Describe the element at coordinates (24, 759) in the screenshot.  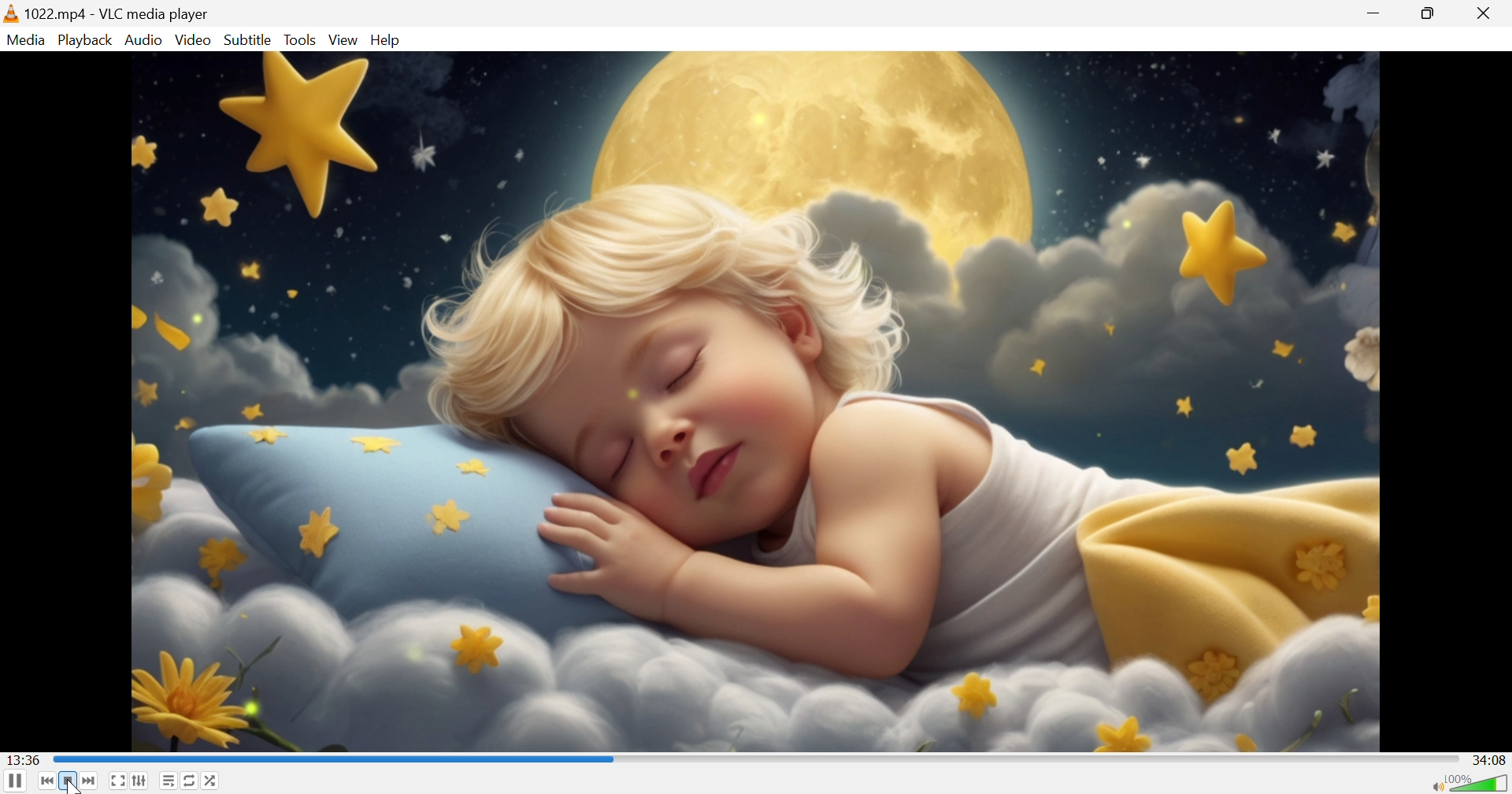
I see `13:36` at that location.